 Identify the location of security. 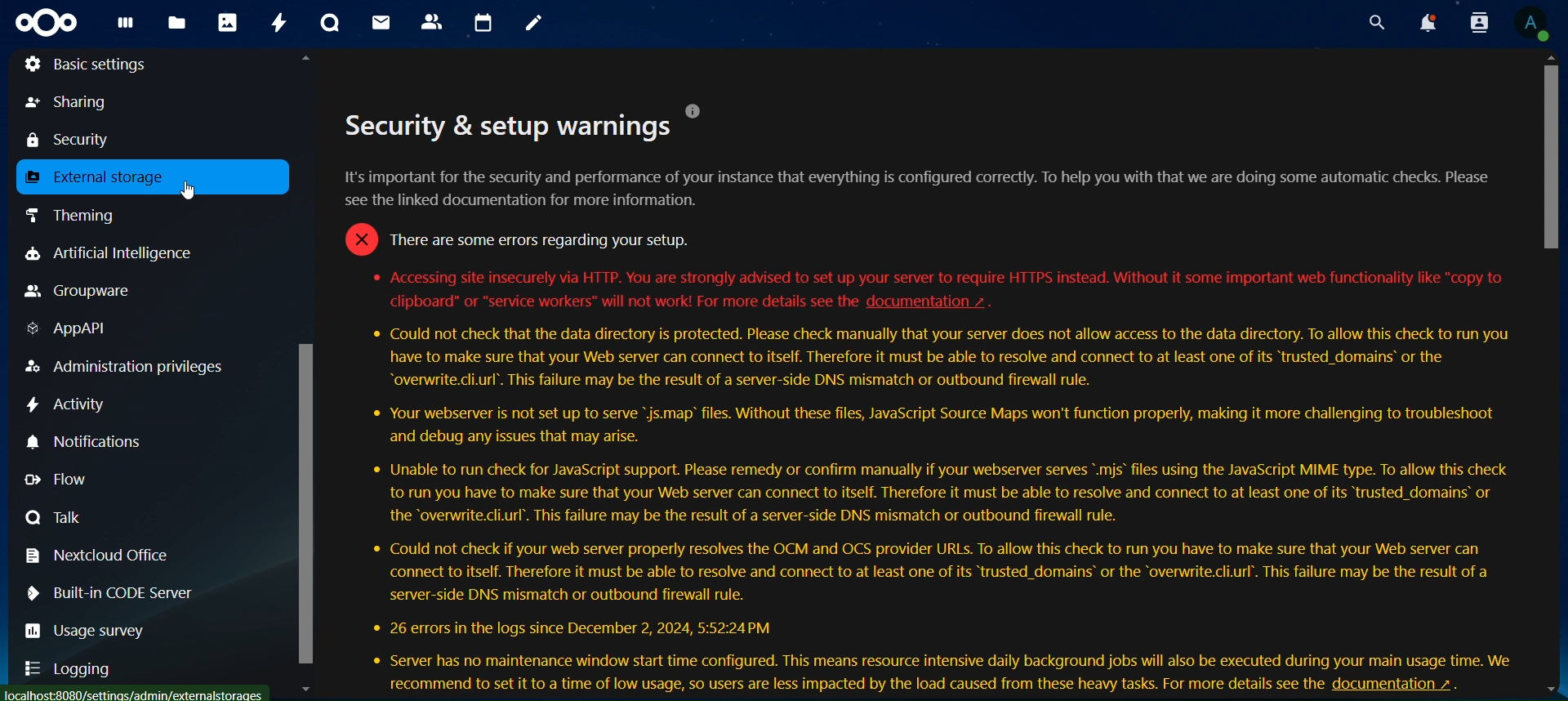
(79, 138).